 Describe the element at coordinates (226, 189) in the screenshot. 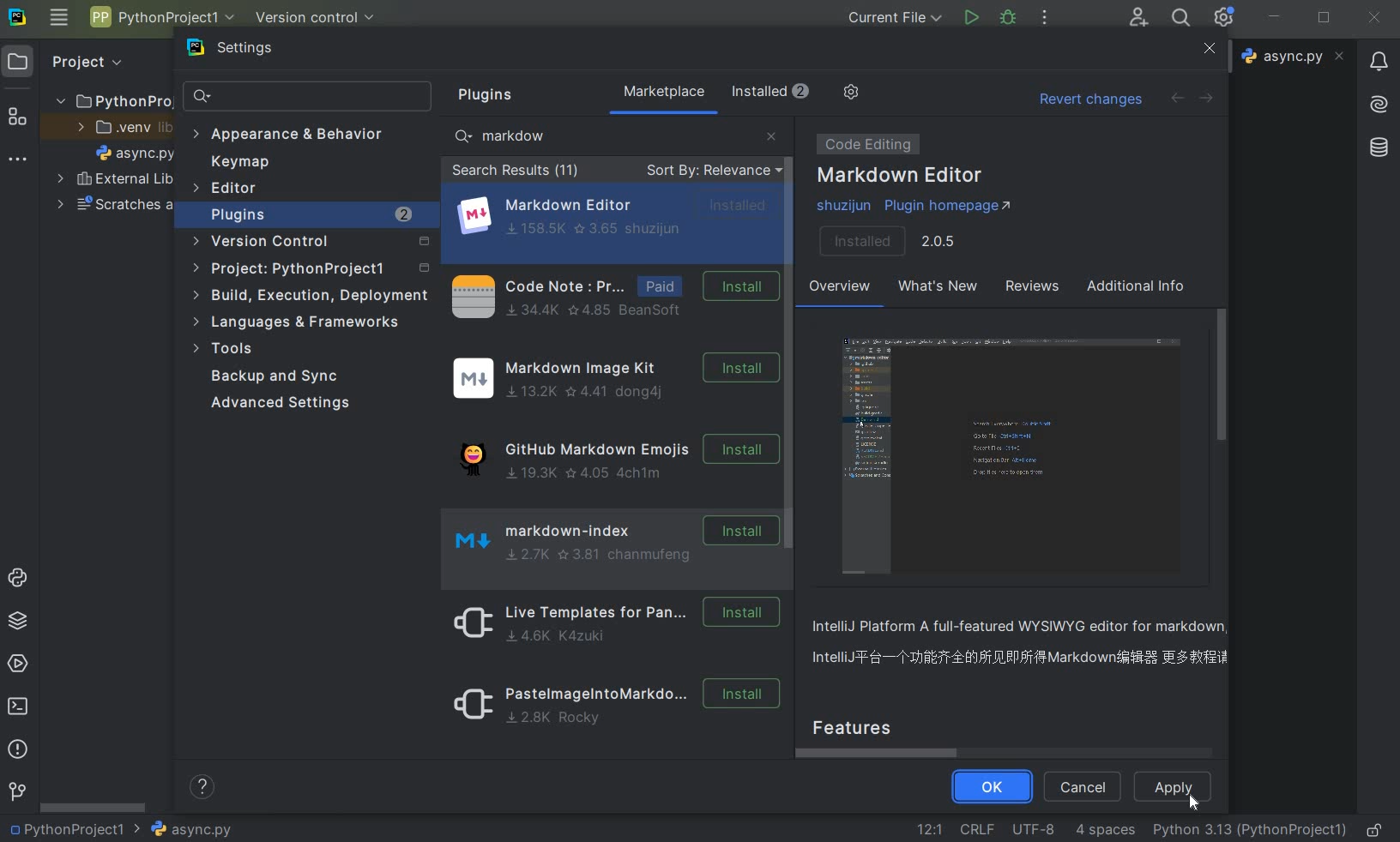

I see `Editor` at that location.